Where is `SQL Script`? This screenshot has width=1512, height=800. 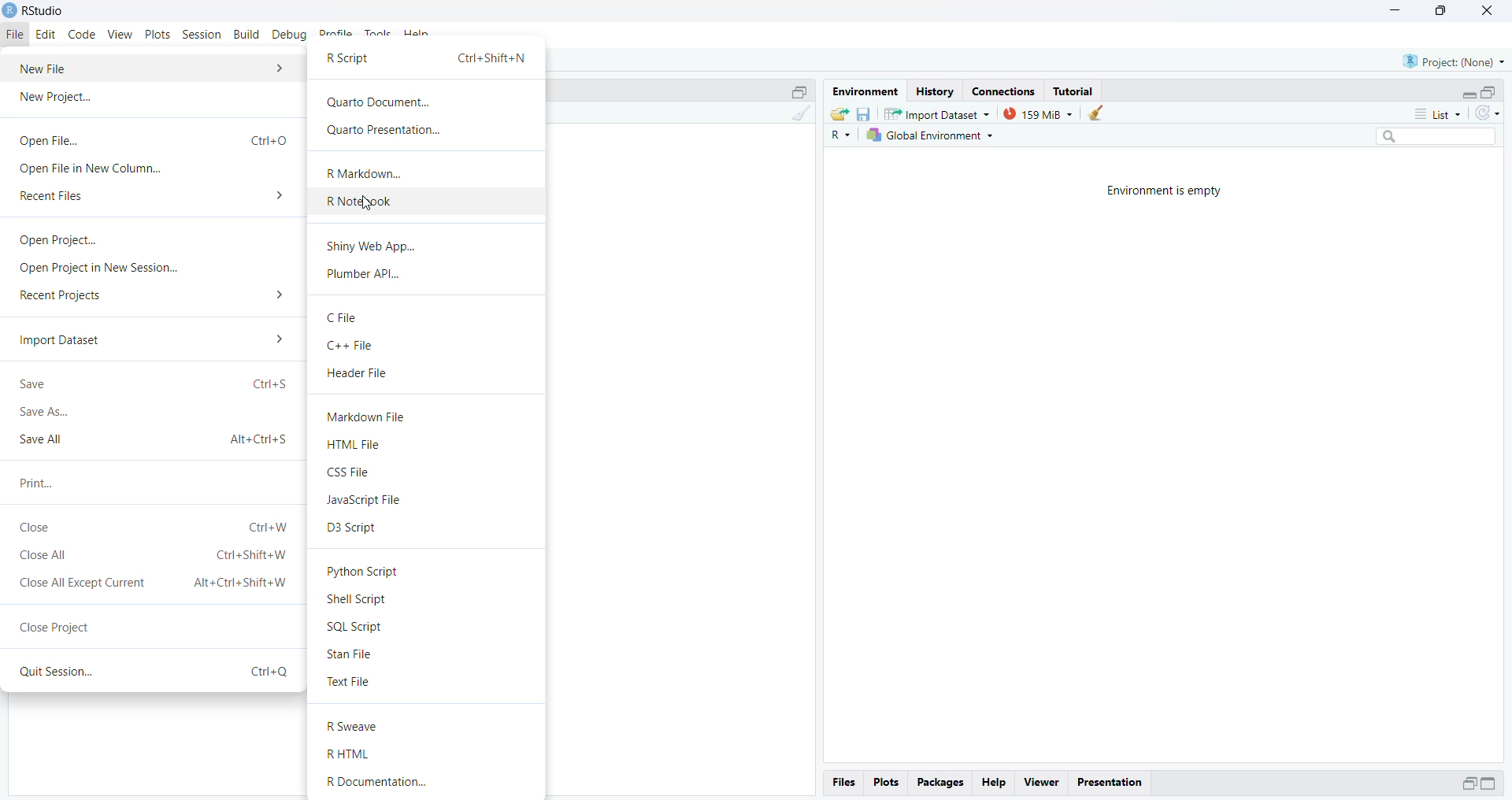 SQL Script is located at coordinates (357, 627).